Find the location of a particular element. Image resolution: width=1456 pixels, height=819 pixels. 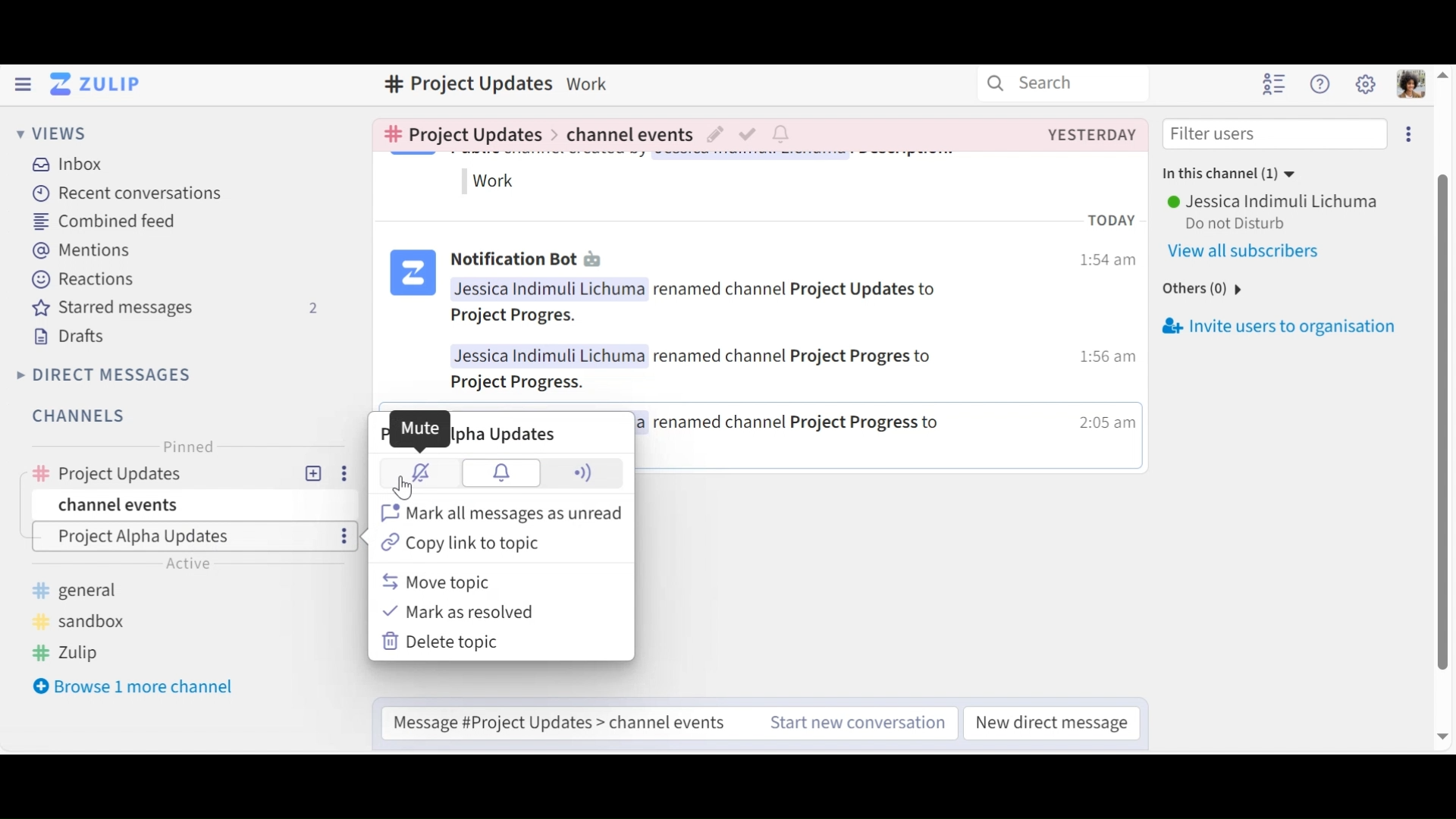

Mrk all messages as unread is located at coordinates (500, 511).